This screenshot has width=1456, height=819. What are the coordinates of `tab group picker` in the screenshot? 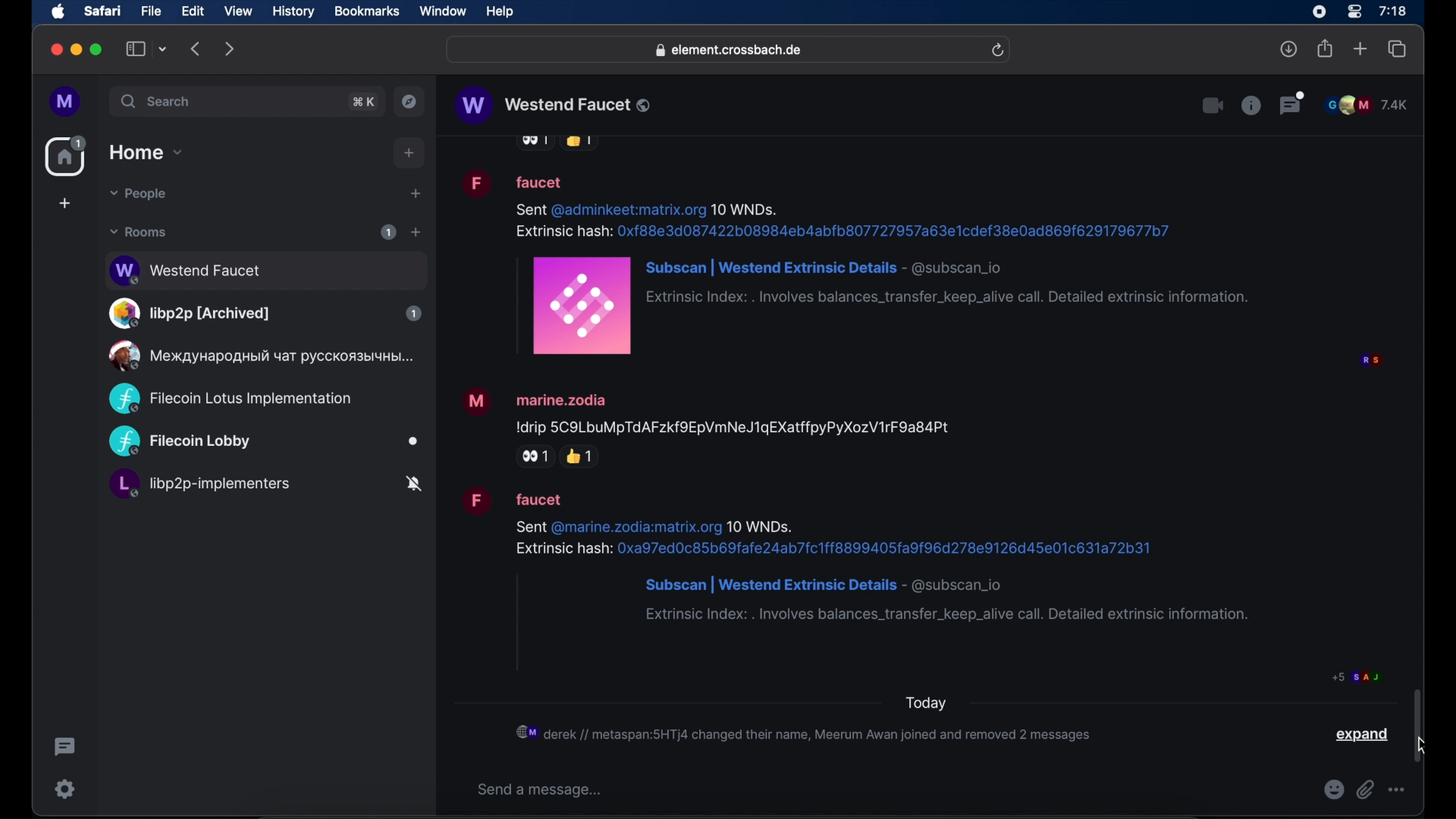 It's located at (163, 49).